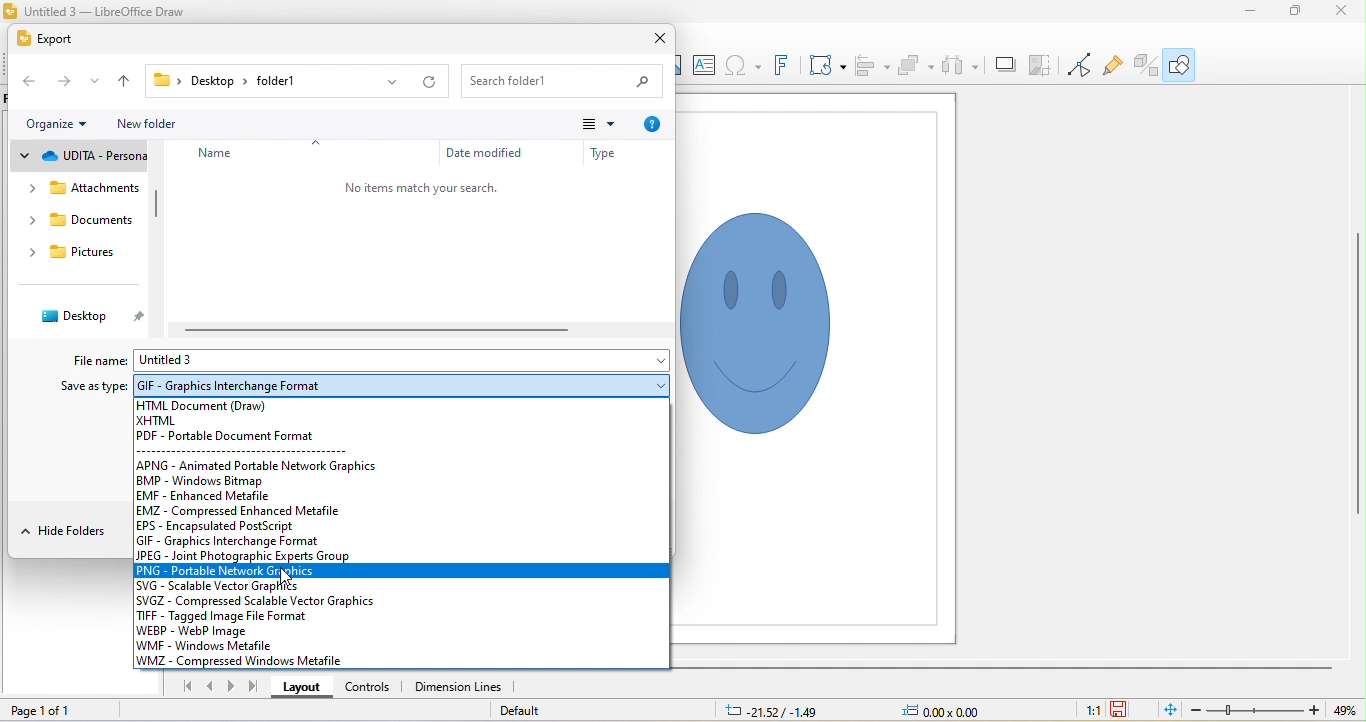  I want to click on toggle extrusion, so click(1144, 67).